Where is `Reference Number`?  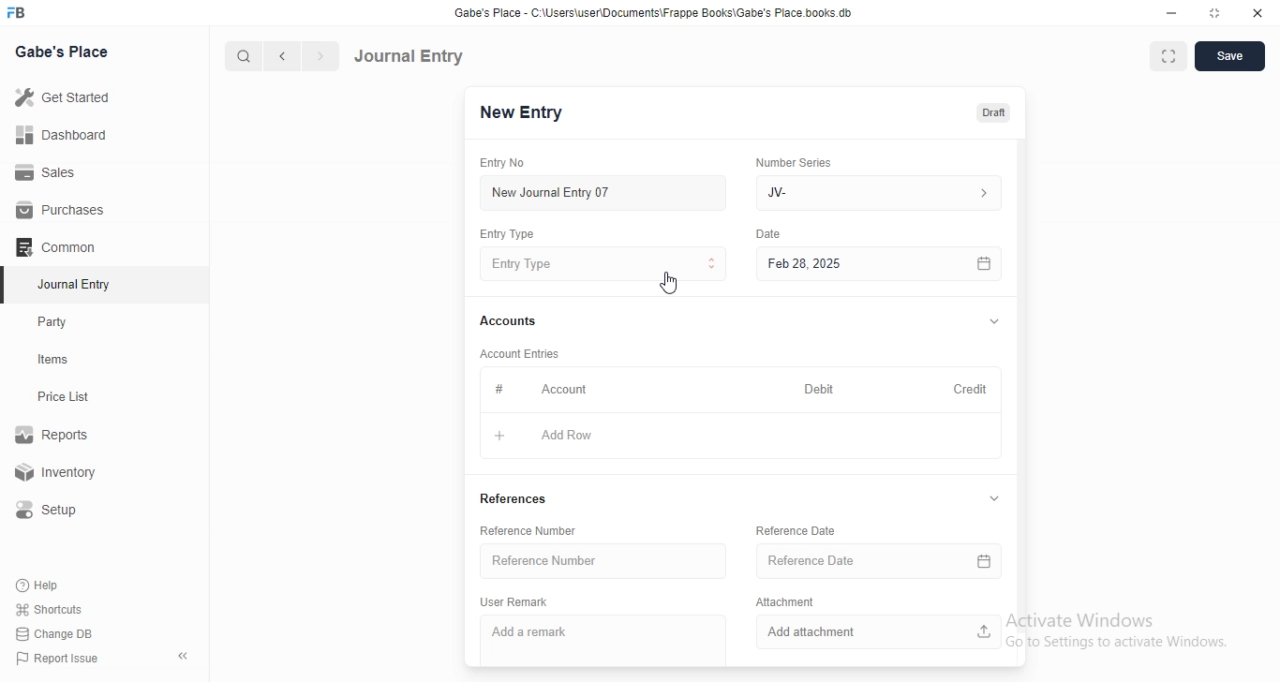
Reference Number is located at coordinates (602, 559).